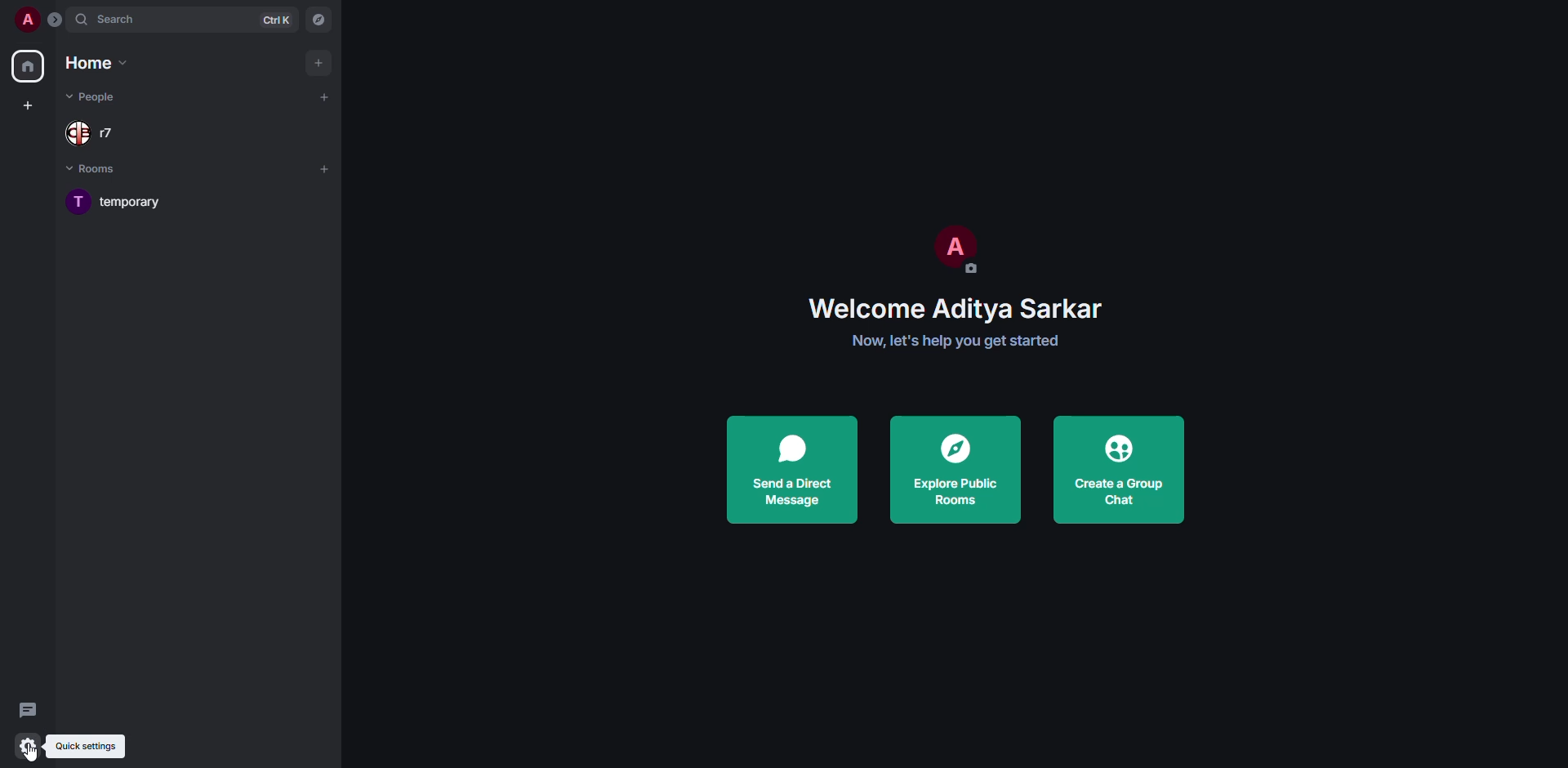  What do you see at coordinates (54, 20) in the screenshot?
I see `expand` at bounding box center [54, 20].